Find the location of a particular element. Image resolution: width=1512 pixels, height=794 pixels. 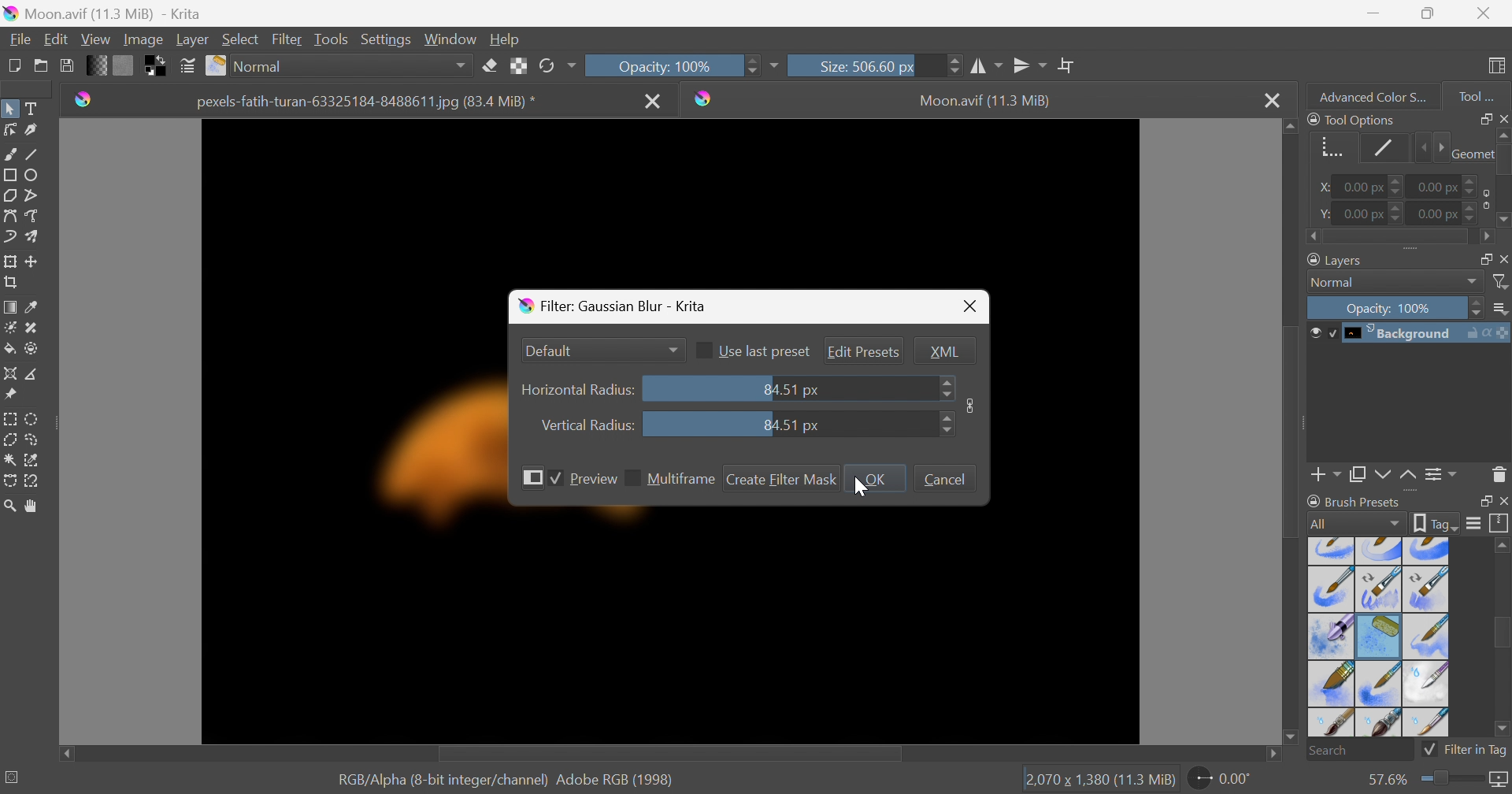

Horizontal mirror tool is located at coordinates (986, 66).